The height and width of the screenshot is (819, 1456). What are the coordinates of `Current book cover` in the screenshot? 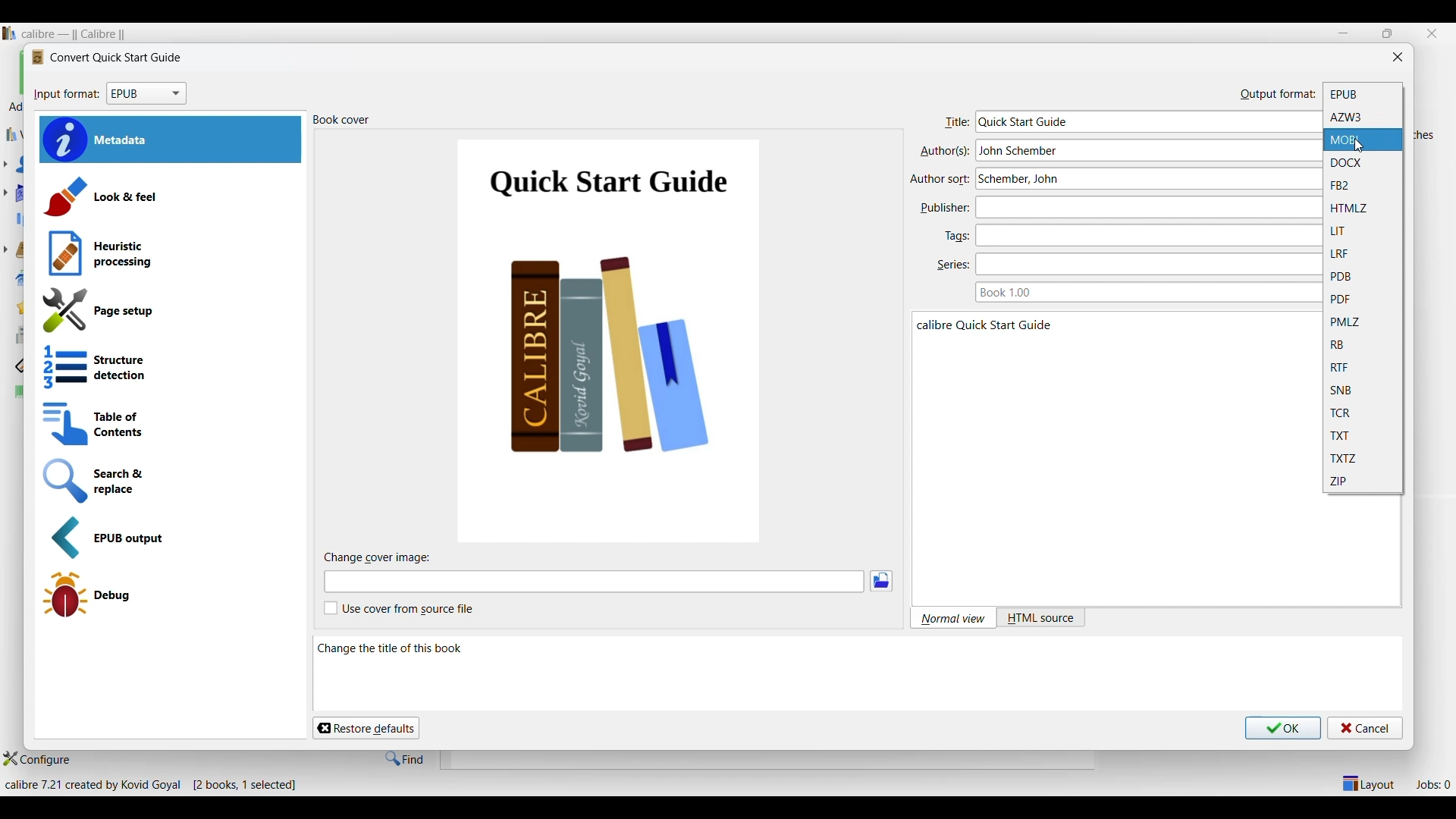 It's located at (610, 341).